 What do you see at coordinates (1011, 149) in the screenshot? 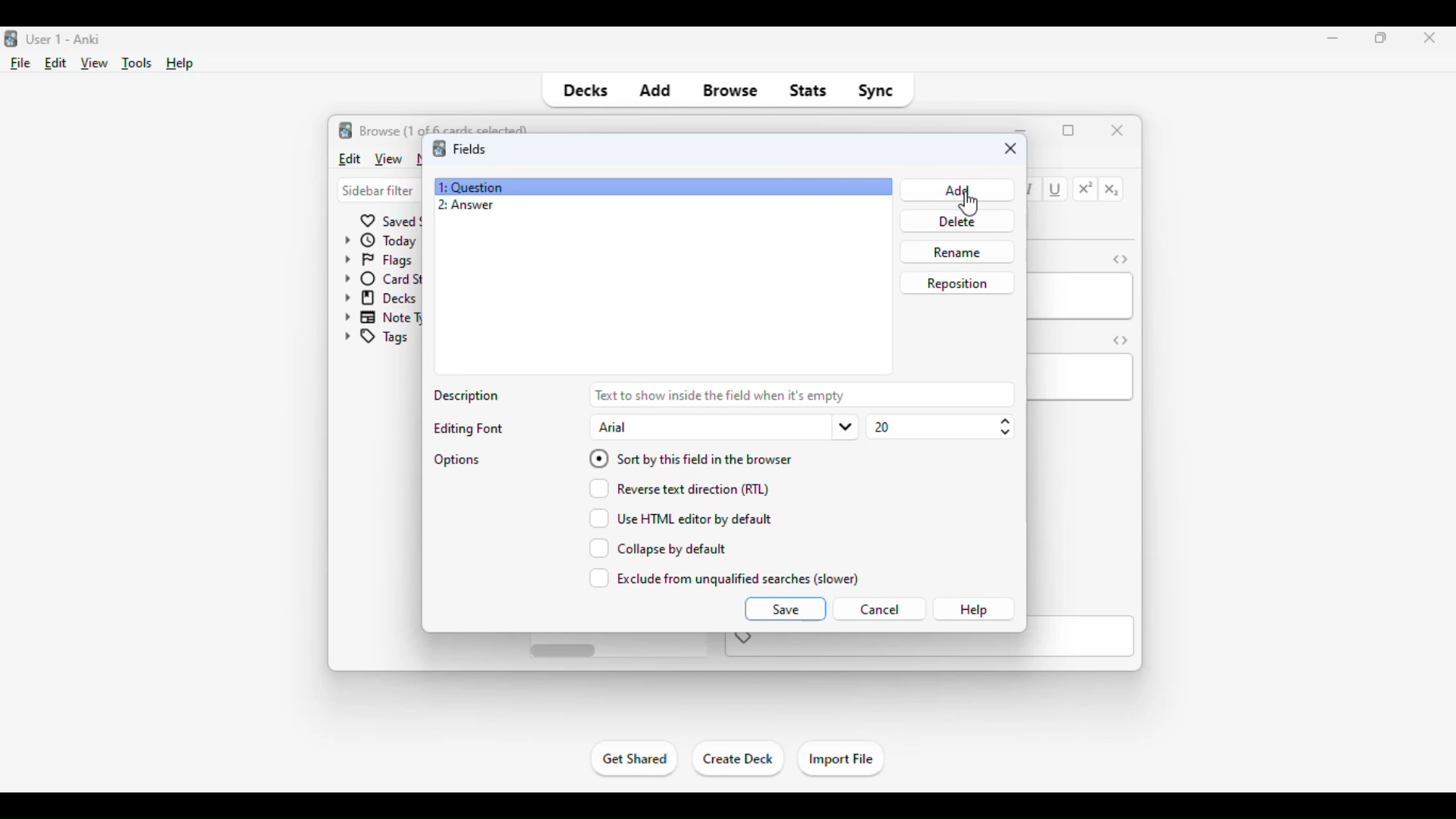
I see `close` at bounding box center [1011, 149].